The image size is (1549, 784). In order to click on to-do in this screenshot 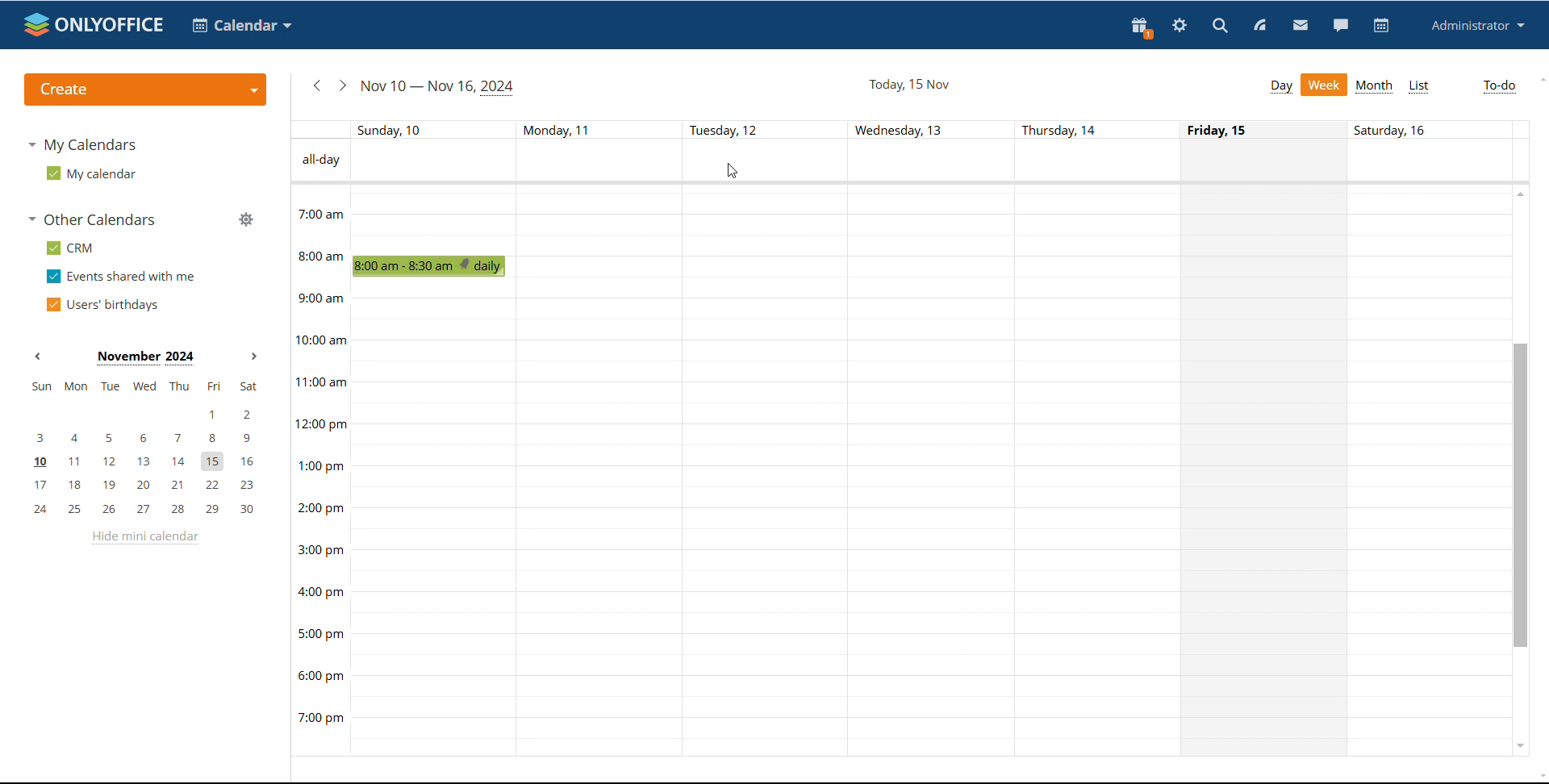, I will do `click(1500, 87)`.